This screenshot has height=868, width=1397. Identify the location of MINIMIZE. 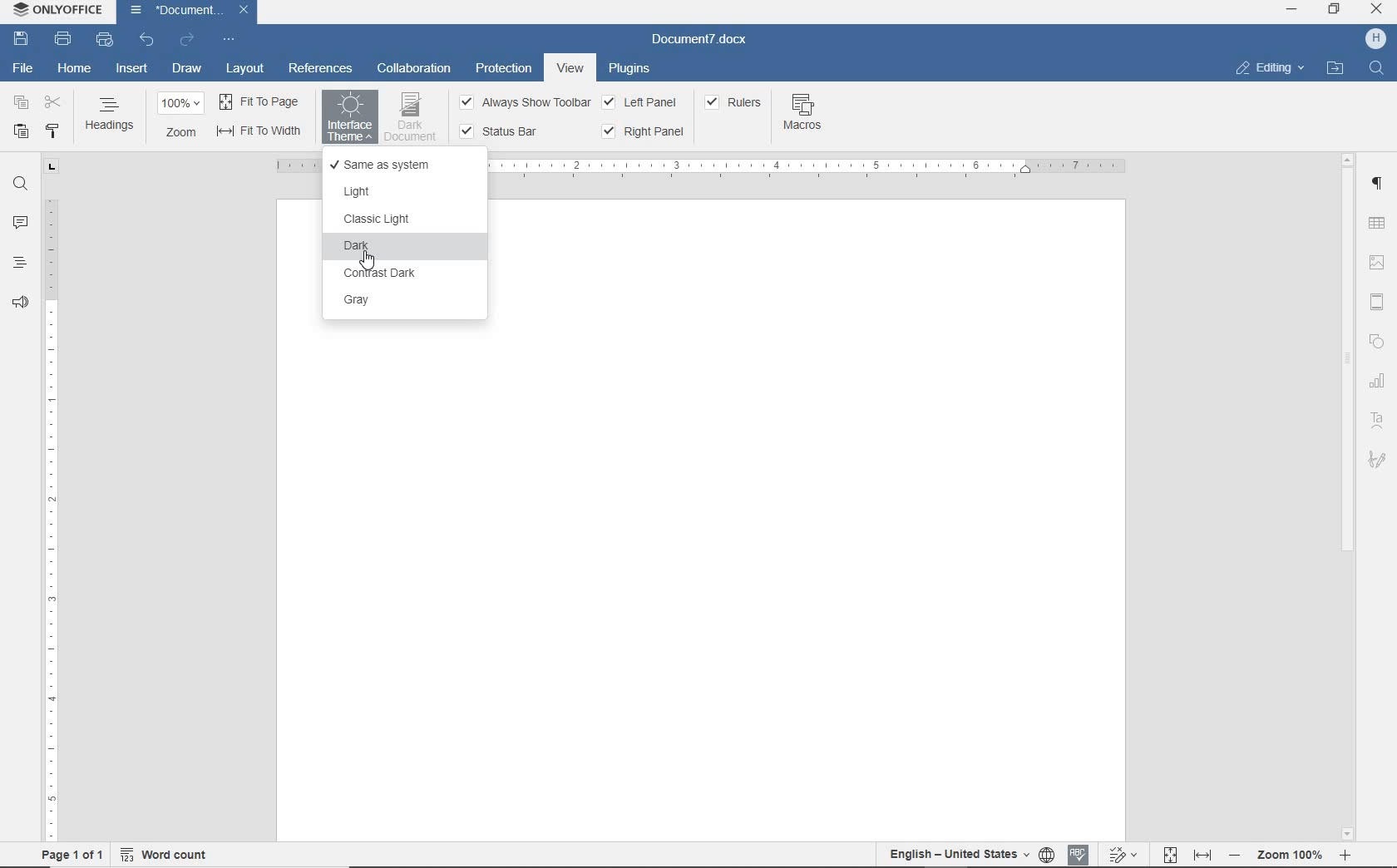
(1291, 8).